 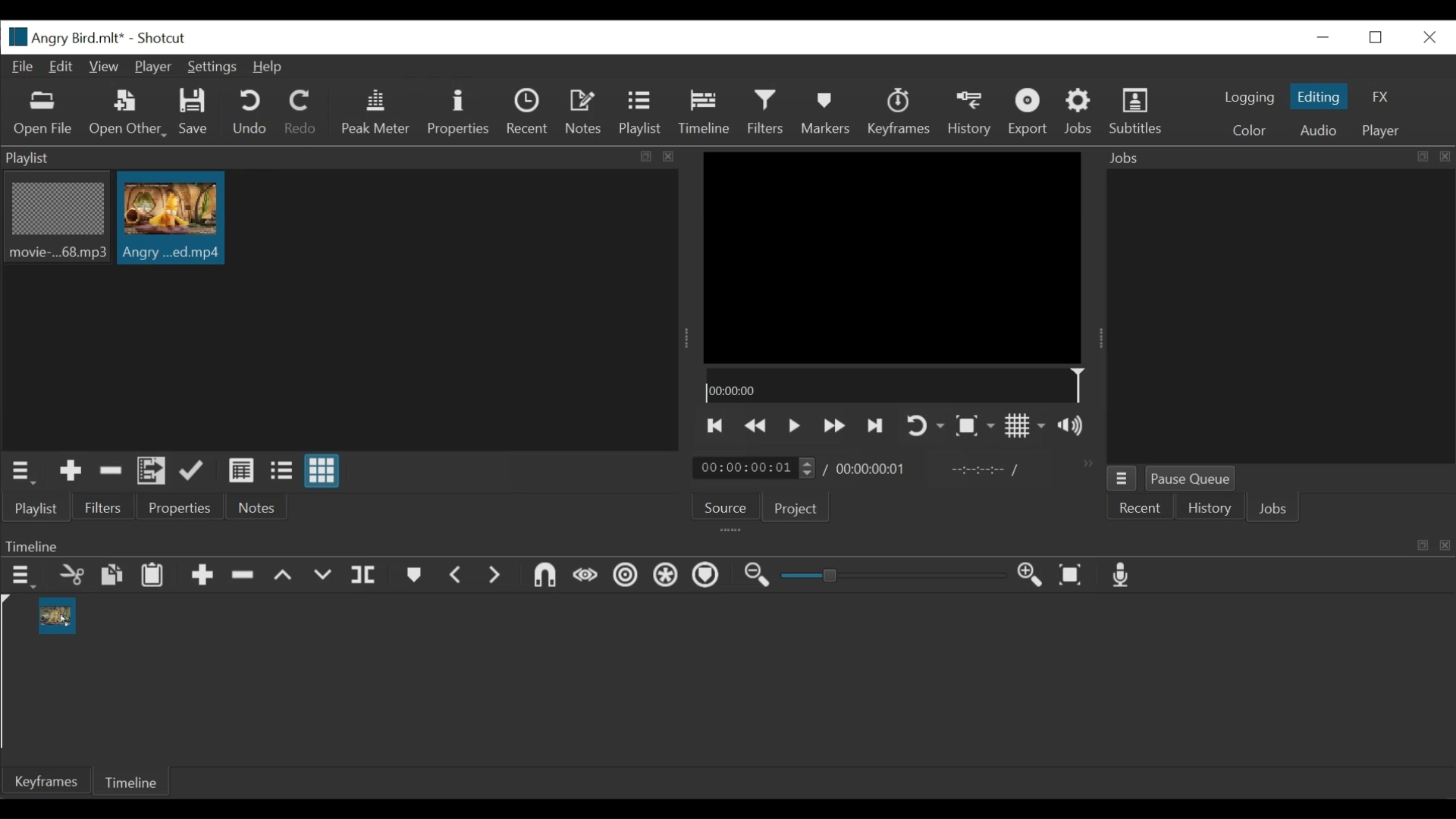 I want to click on Toggle Zoom, so click(x=974, y=426).